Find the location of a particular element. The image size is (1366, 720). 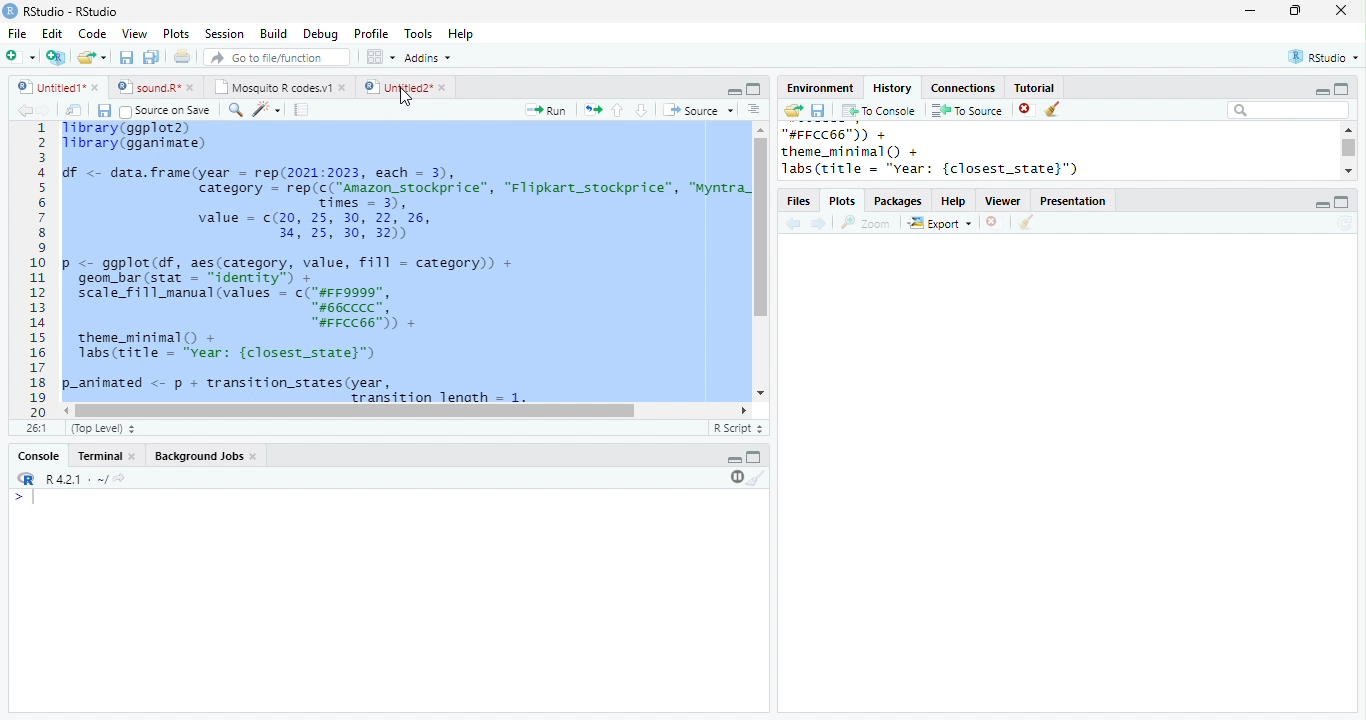

Plots is located at coordinates (842, 201).